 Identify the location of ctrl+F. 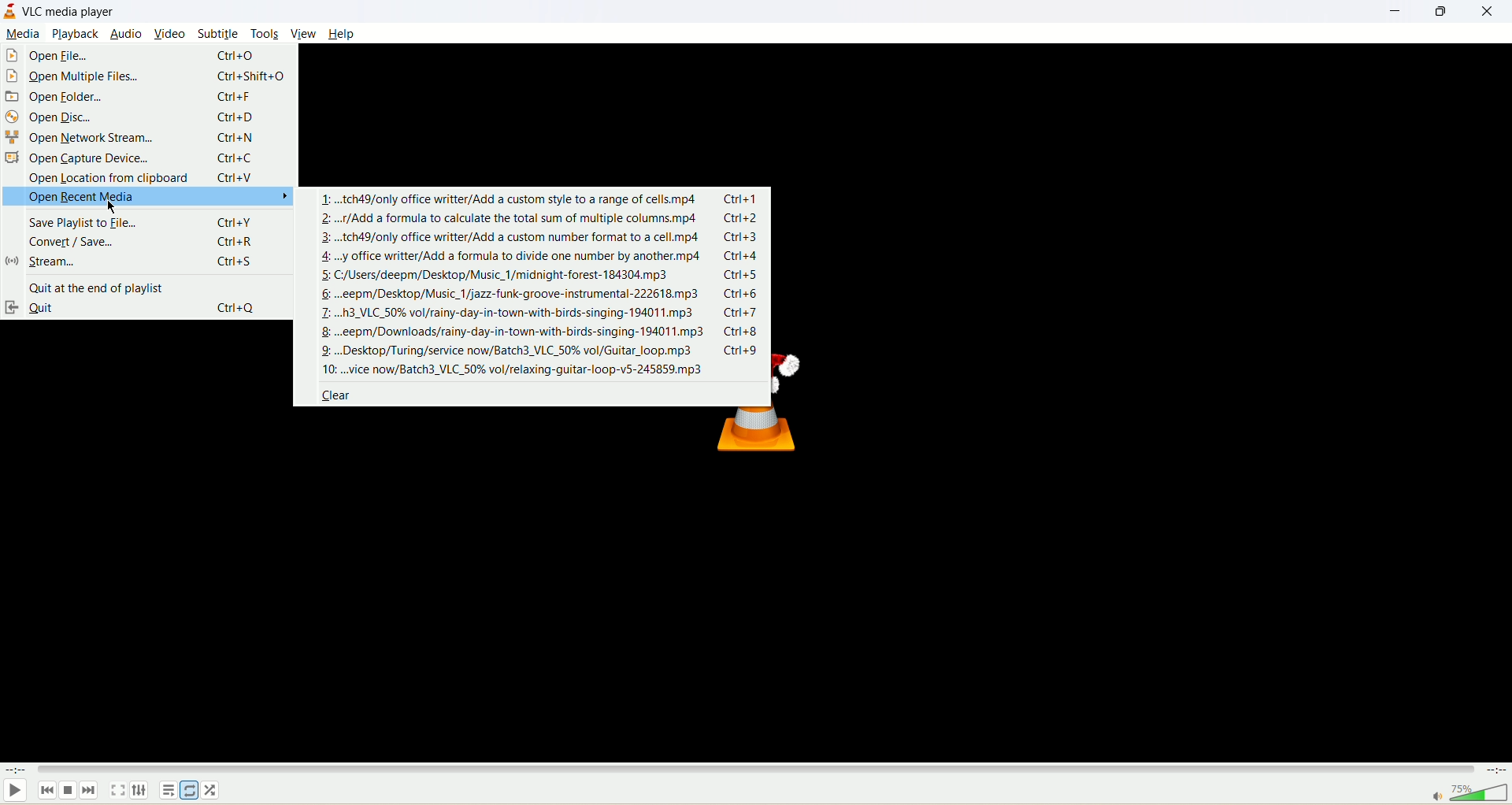
(235, 97).